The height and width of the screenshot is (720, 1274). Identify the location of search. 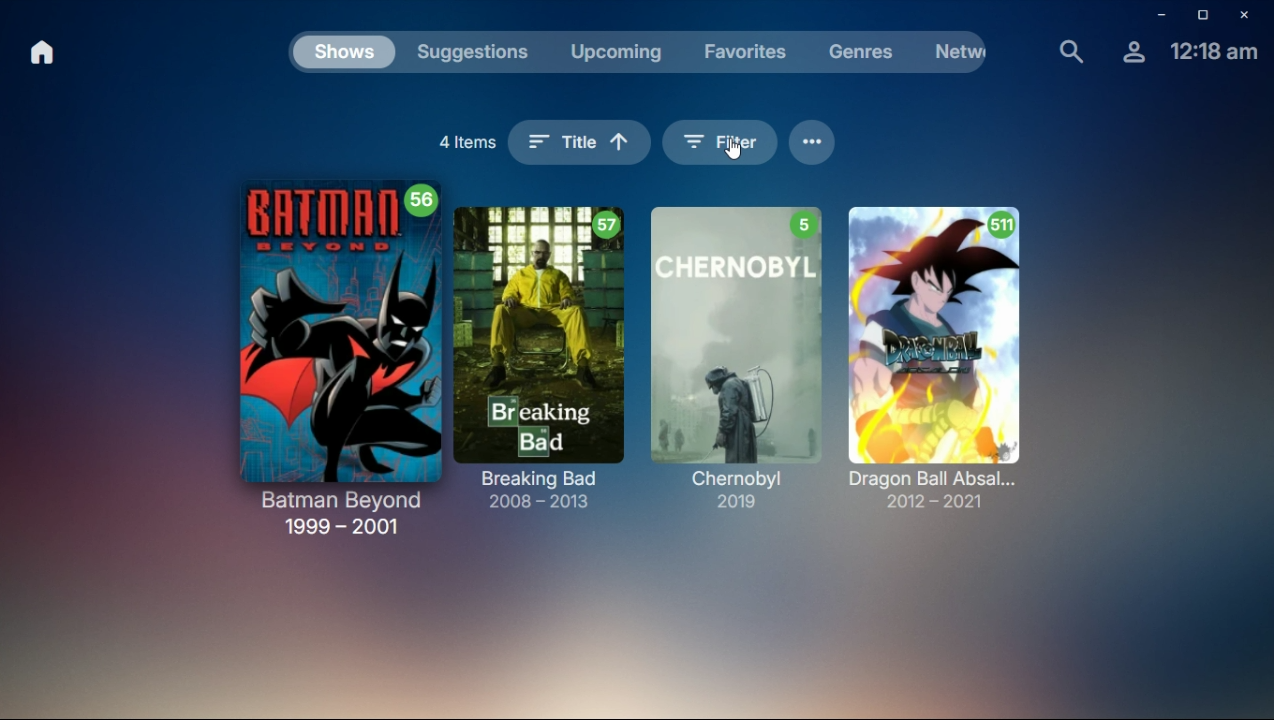
(1070, 51).